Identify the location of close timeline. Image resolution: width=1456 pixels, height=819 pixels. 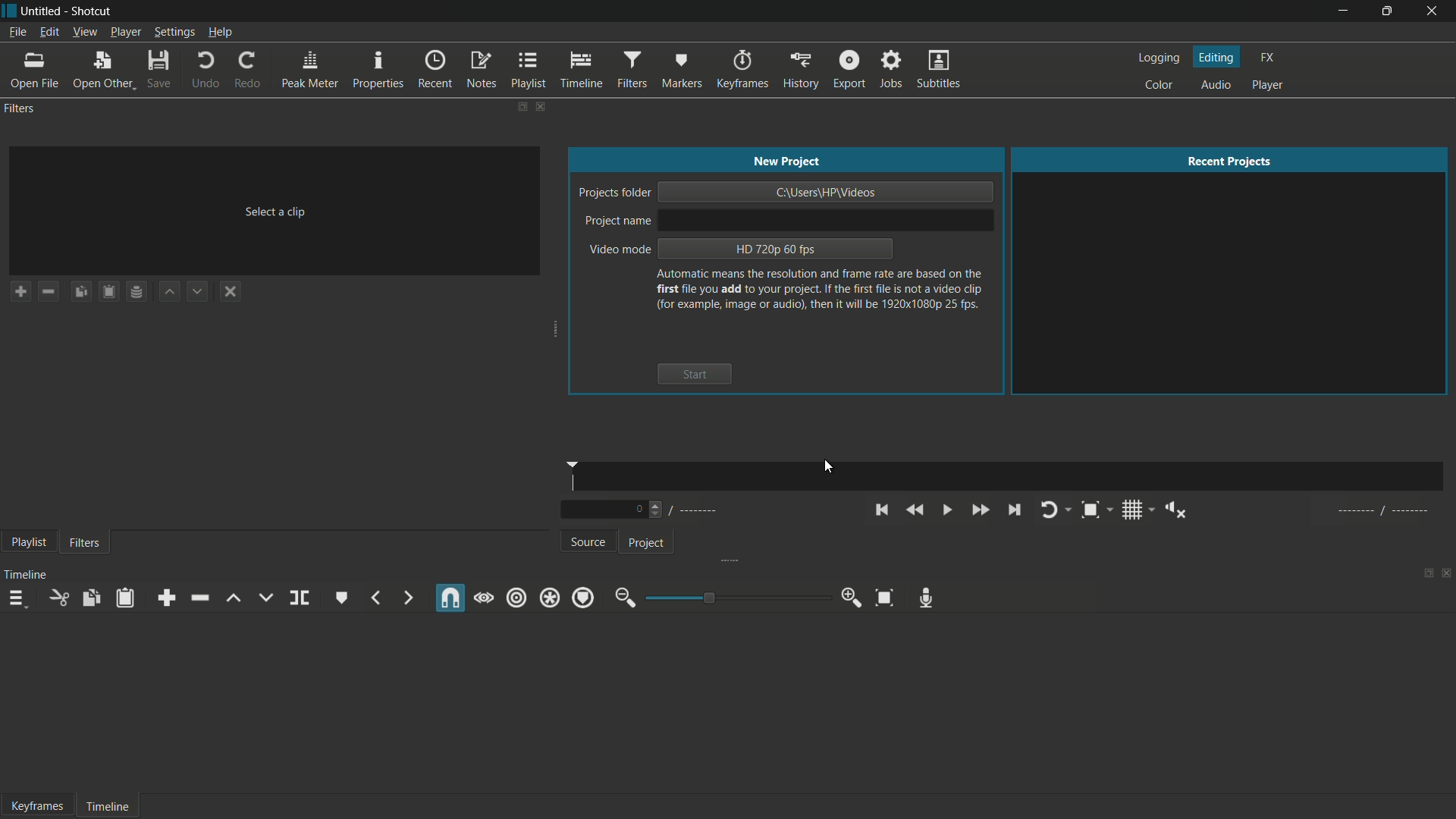
(1447, 573).